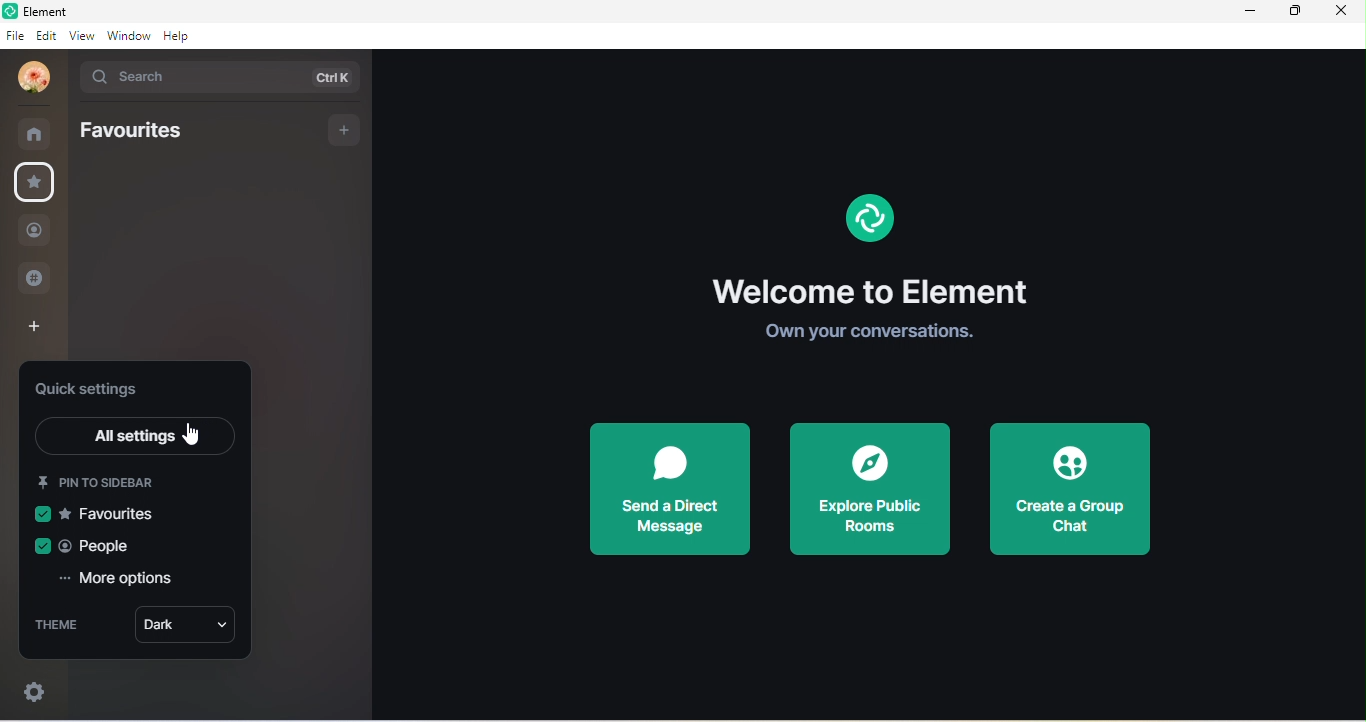 The height and width of the screenshot is (722, 1366). I want to click on theme, so click(62, 628).